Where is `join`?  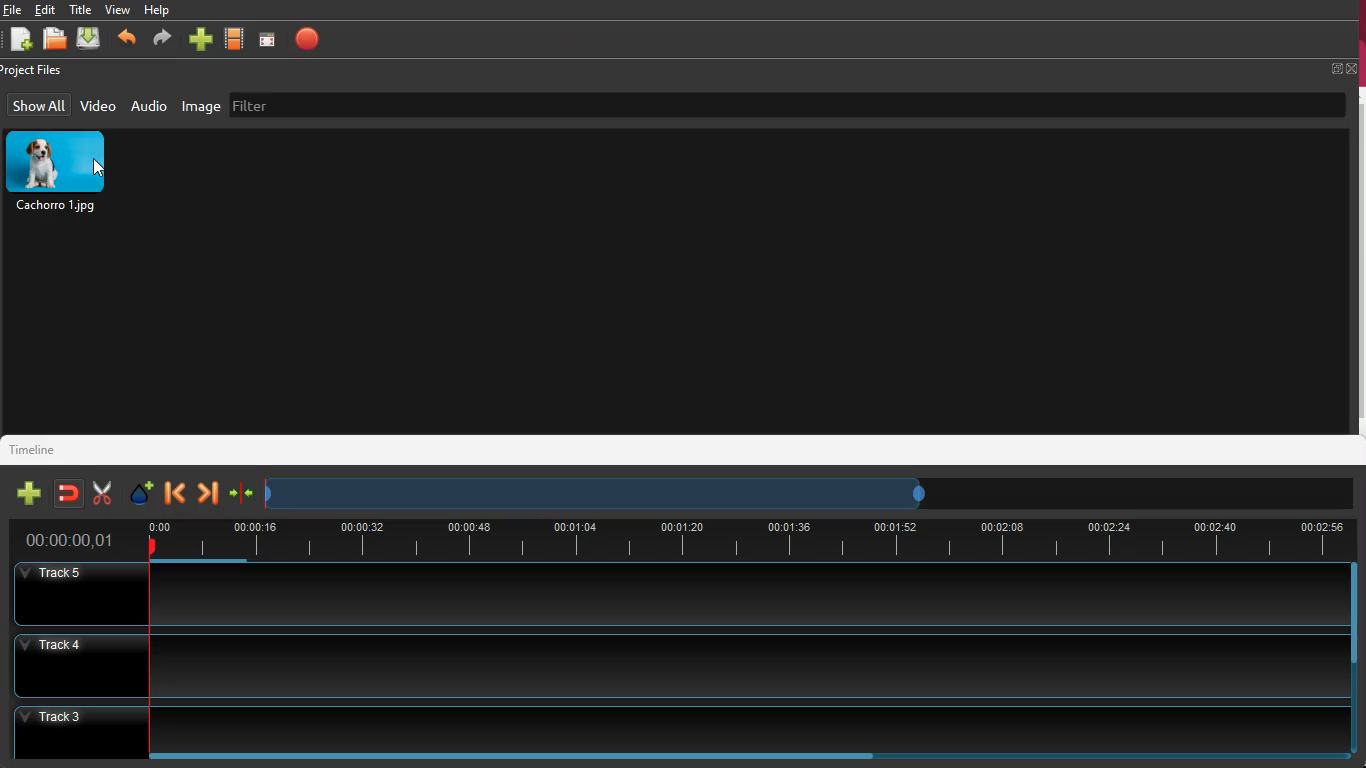 join is located at coordinates (242, 493).